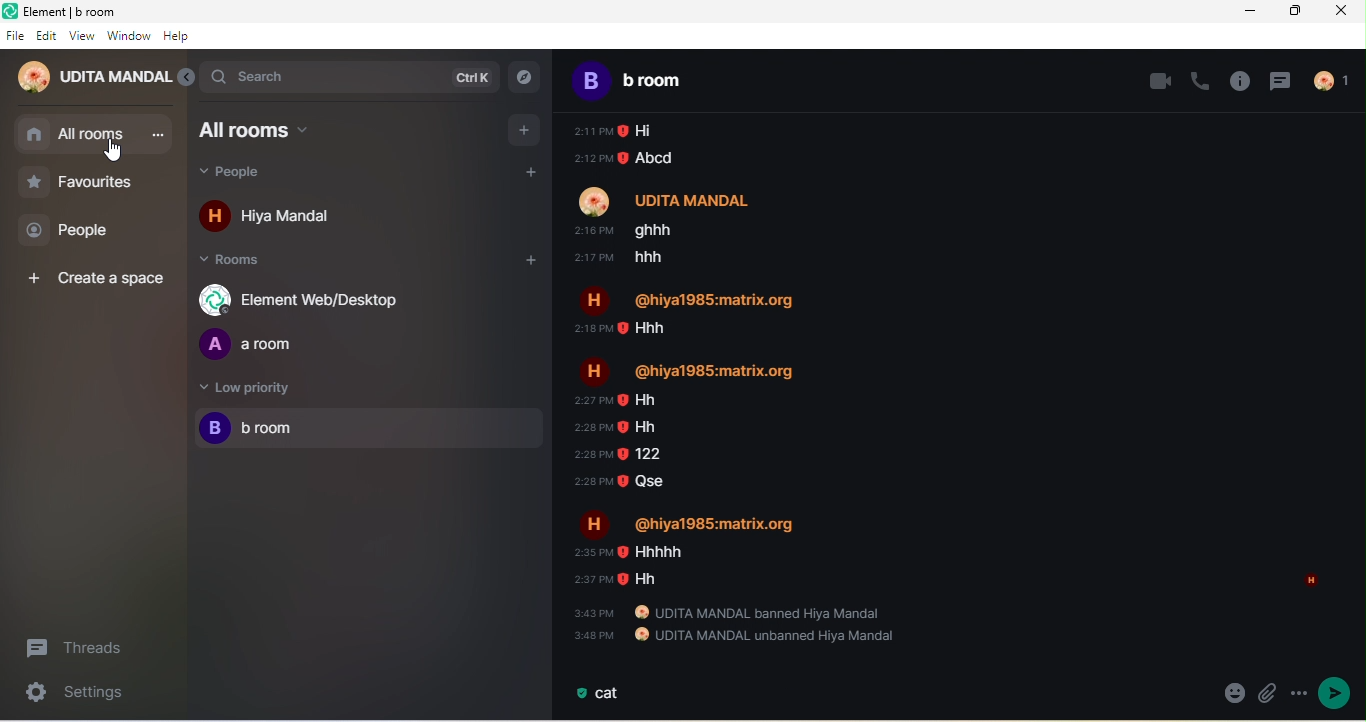 This screenshot has height=722, width=1366. What do you see at coordinates (276, 219) in the screenshot?
I see `hiya mandal` at bounding box center [276, 219].